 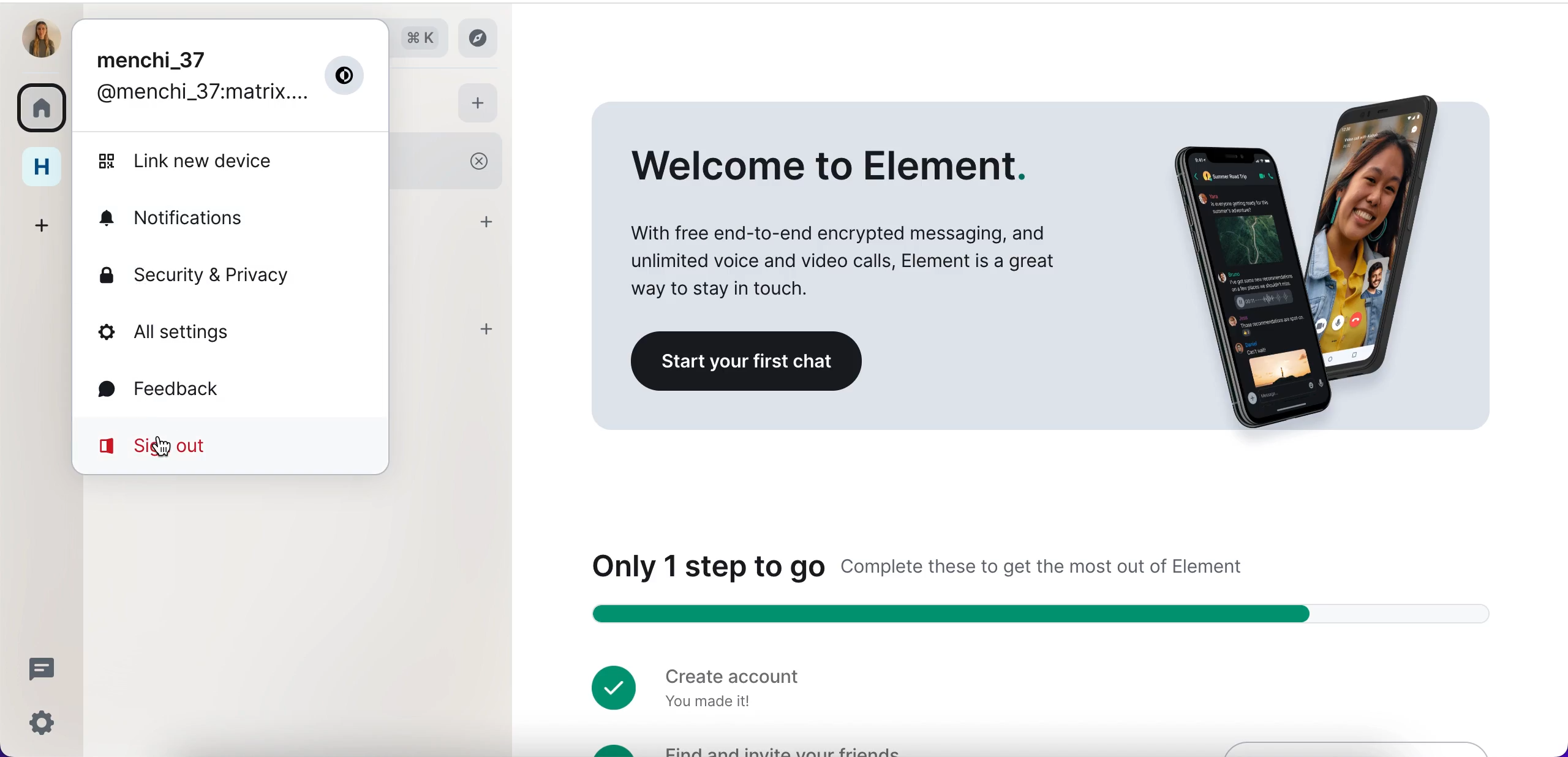 I want to click on sign out, so click(x=225, y=445).